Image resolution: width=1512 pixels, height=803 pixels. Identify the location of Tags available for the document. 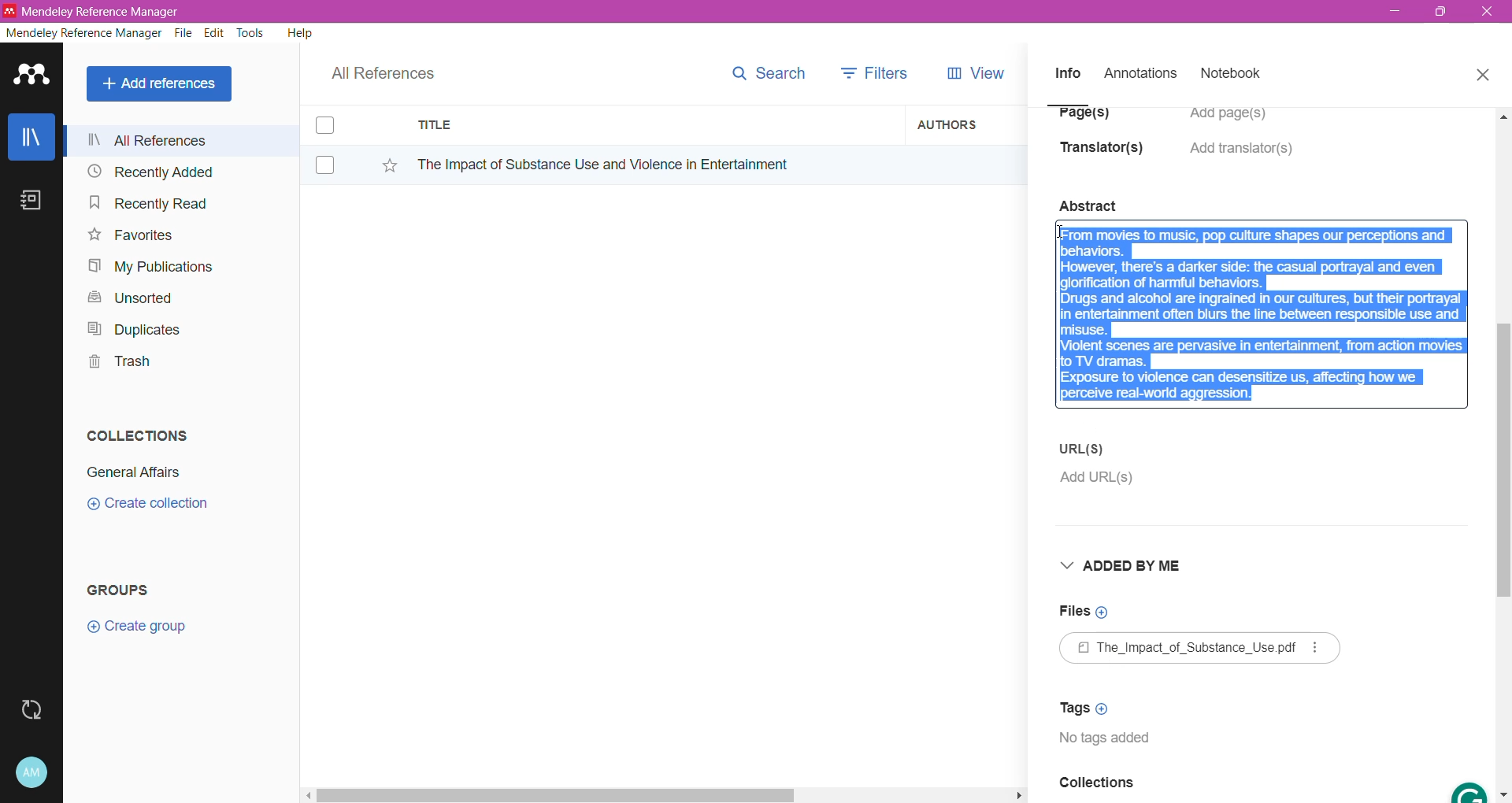
(1111, 742).